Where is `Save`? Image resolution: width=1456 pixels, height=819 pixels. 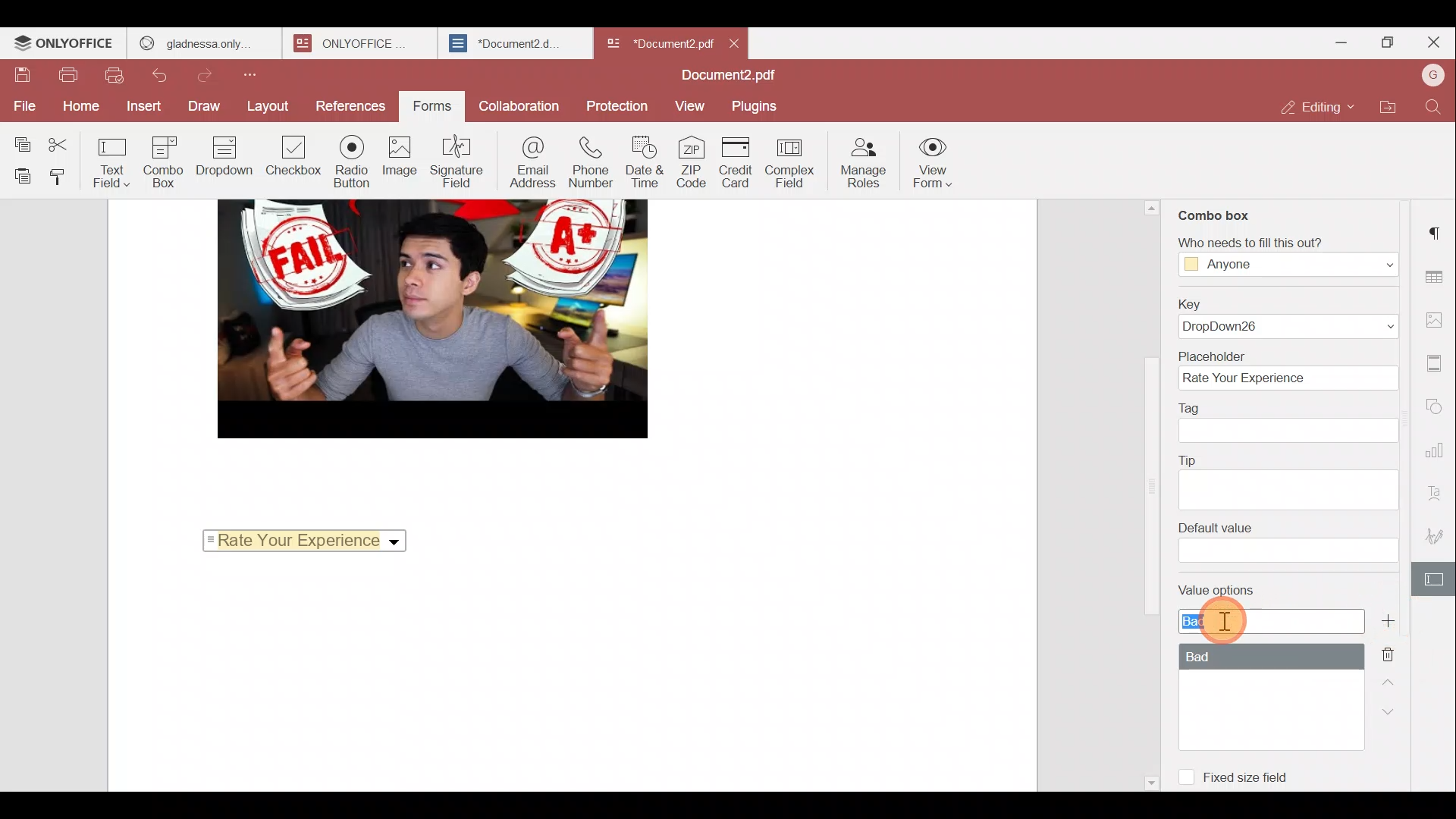 Save is located at coordinates (23, 76).